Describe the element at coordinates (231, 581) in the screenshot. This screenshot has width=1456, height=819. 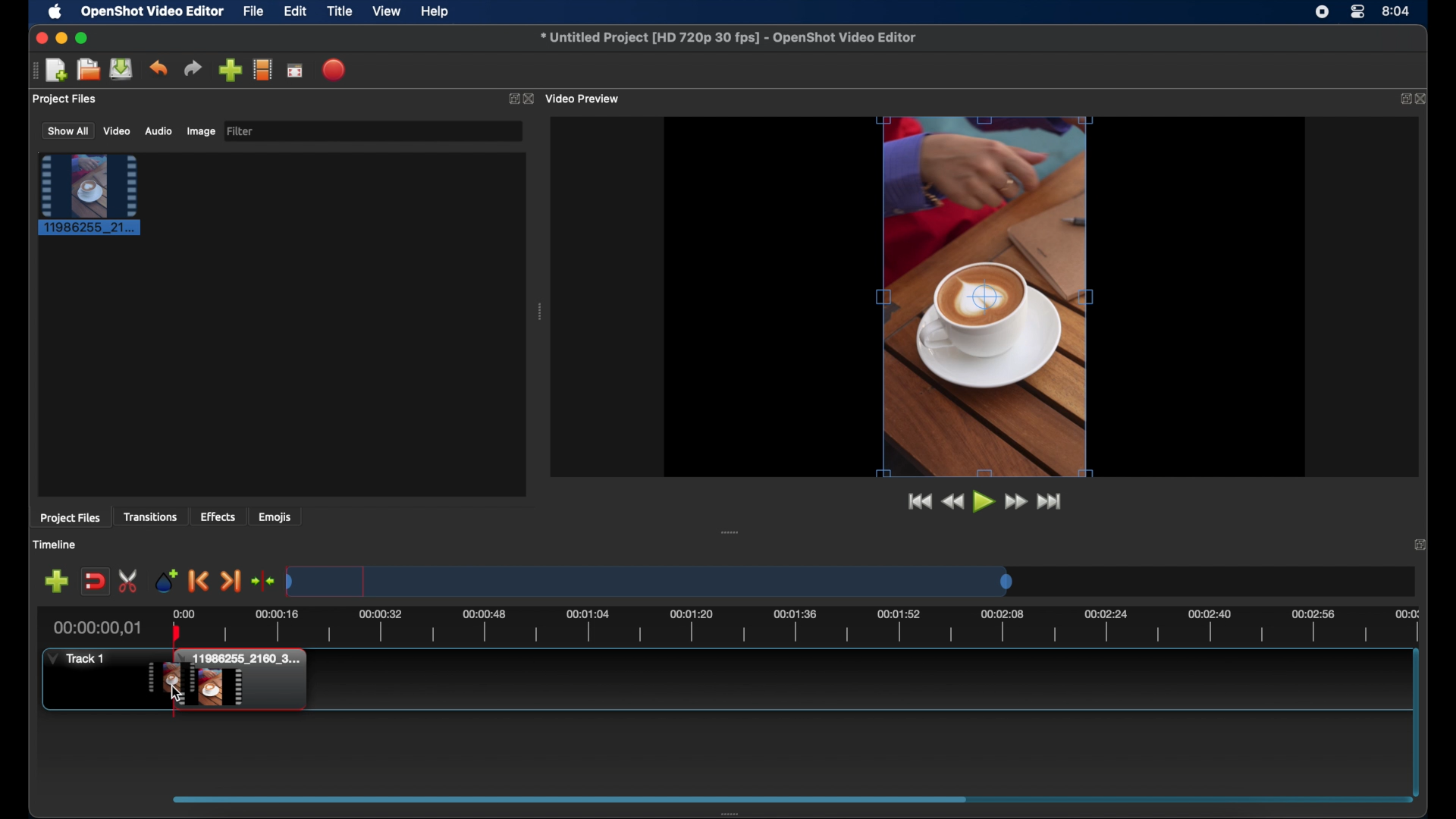
I see `next marker` at that location.